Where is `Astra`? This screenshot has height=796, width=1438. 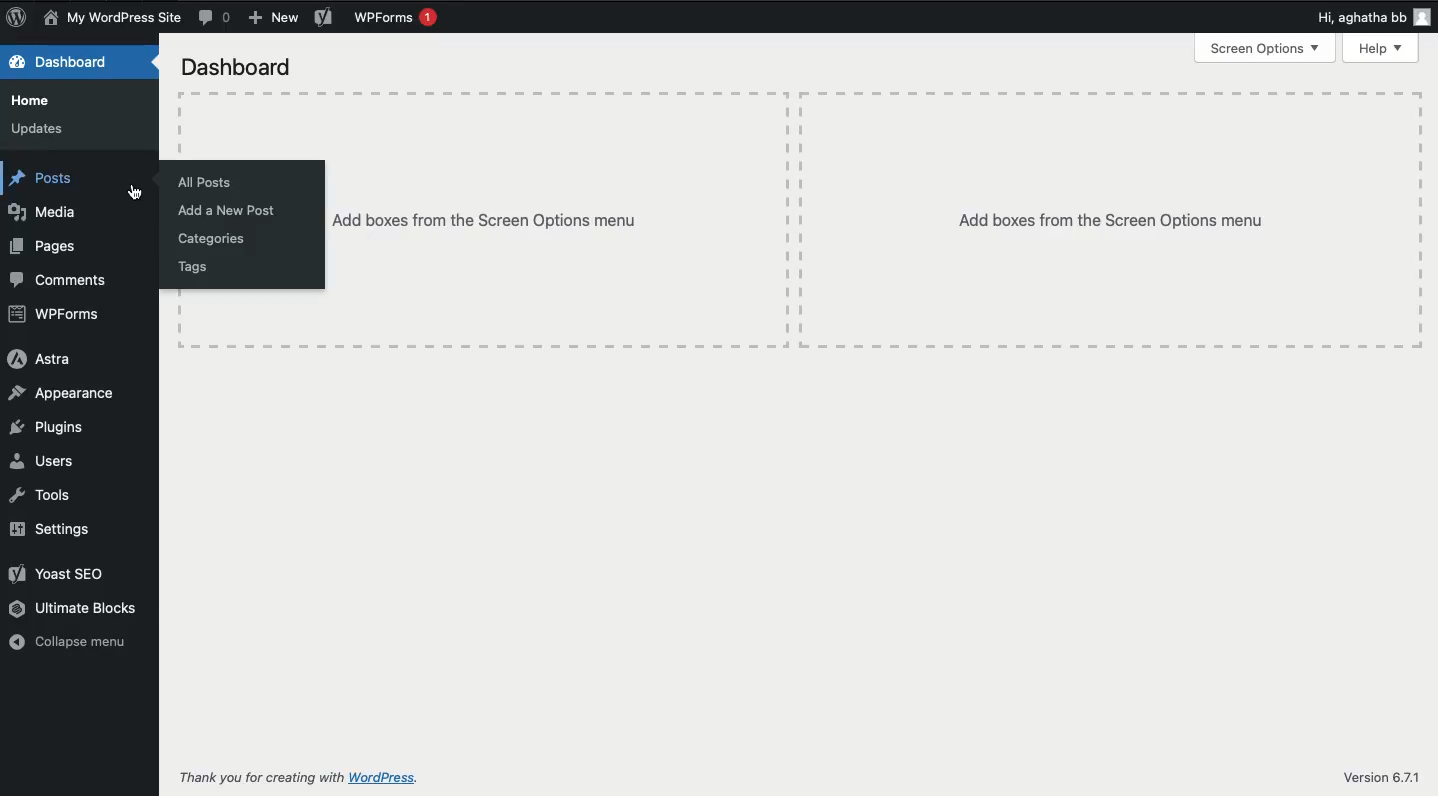 Astra is located at coordinates (41, 363).